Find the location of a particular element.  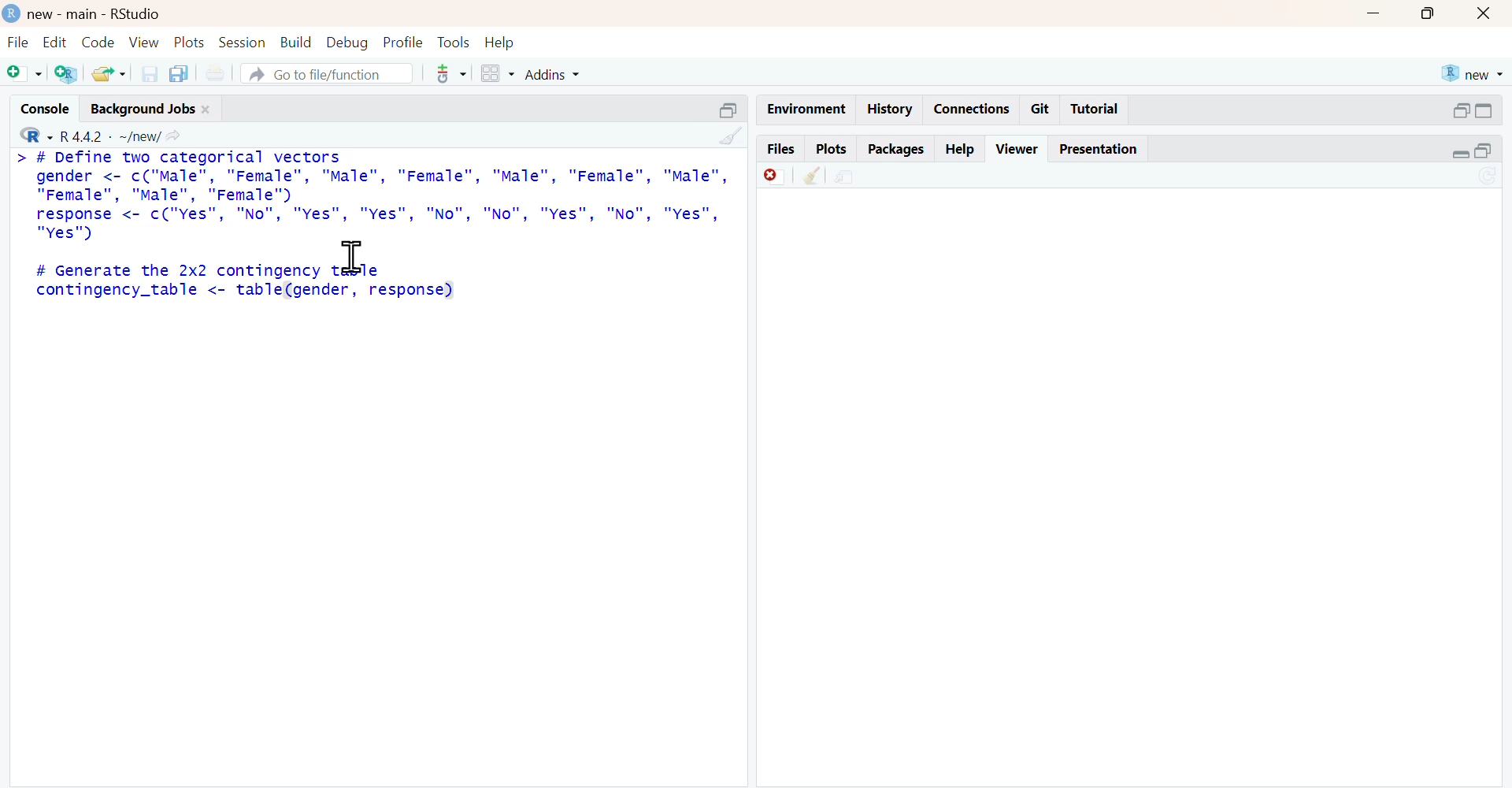

git is located at coordinates (1042, 110).